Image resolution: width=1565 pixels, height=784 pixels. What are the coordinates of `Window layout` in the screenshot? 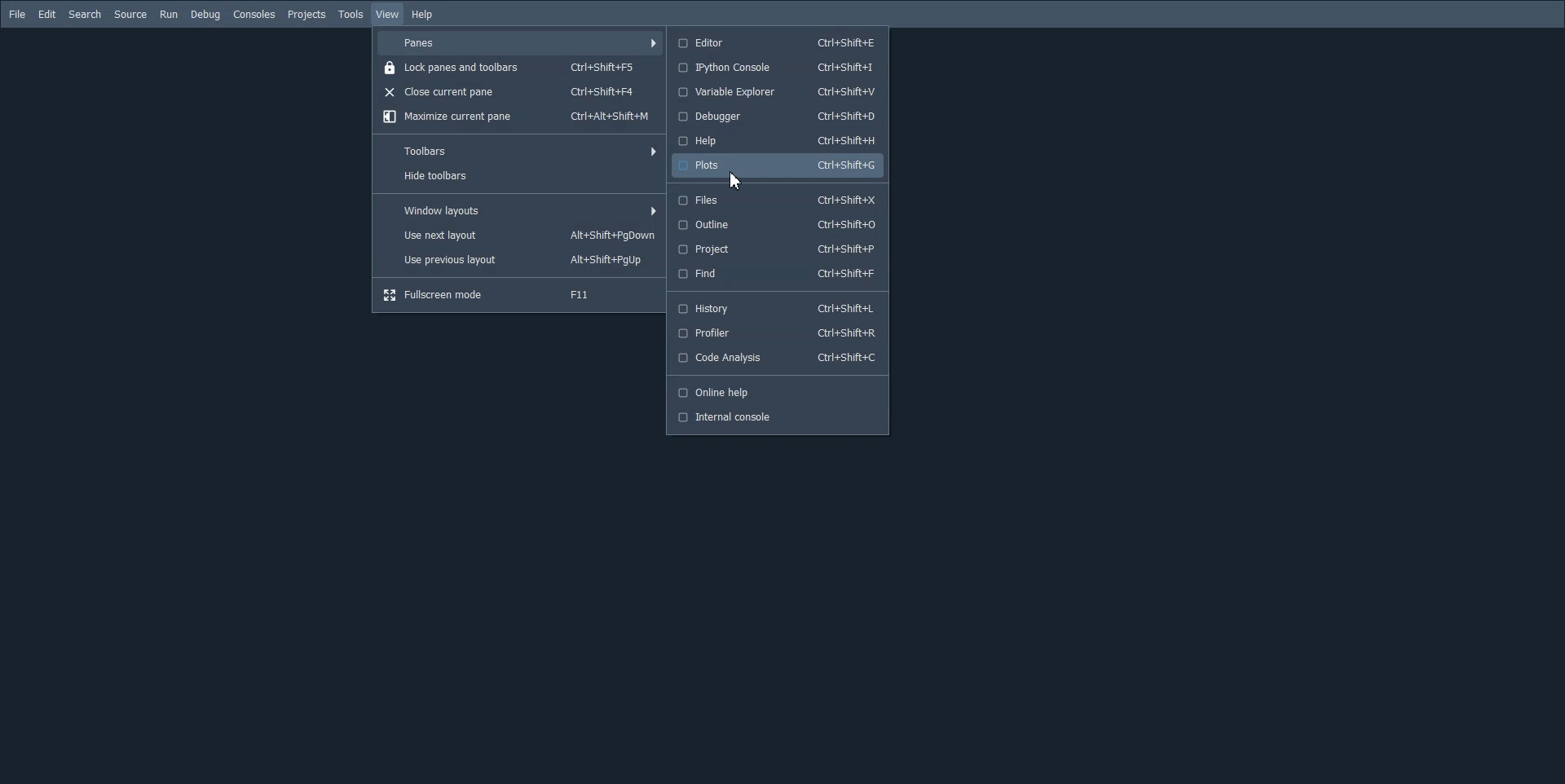 It's located at (519, 209).